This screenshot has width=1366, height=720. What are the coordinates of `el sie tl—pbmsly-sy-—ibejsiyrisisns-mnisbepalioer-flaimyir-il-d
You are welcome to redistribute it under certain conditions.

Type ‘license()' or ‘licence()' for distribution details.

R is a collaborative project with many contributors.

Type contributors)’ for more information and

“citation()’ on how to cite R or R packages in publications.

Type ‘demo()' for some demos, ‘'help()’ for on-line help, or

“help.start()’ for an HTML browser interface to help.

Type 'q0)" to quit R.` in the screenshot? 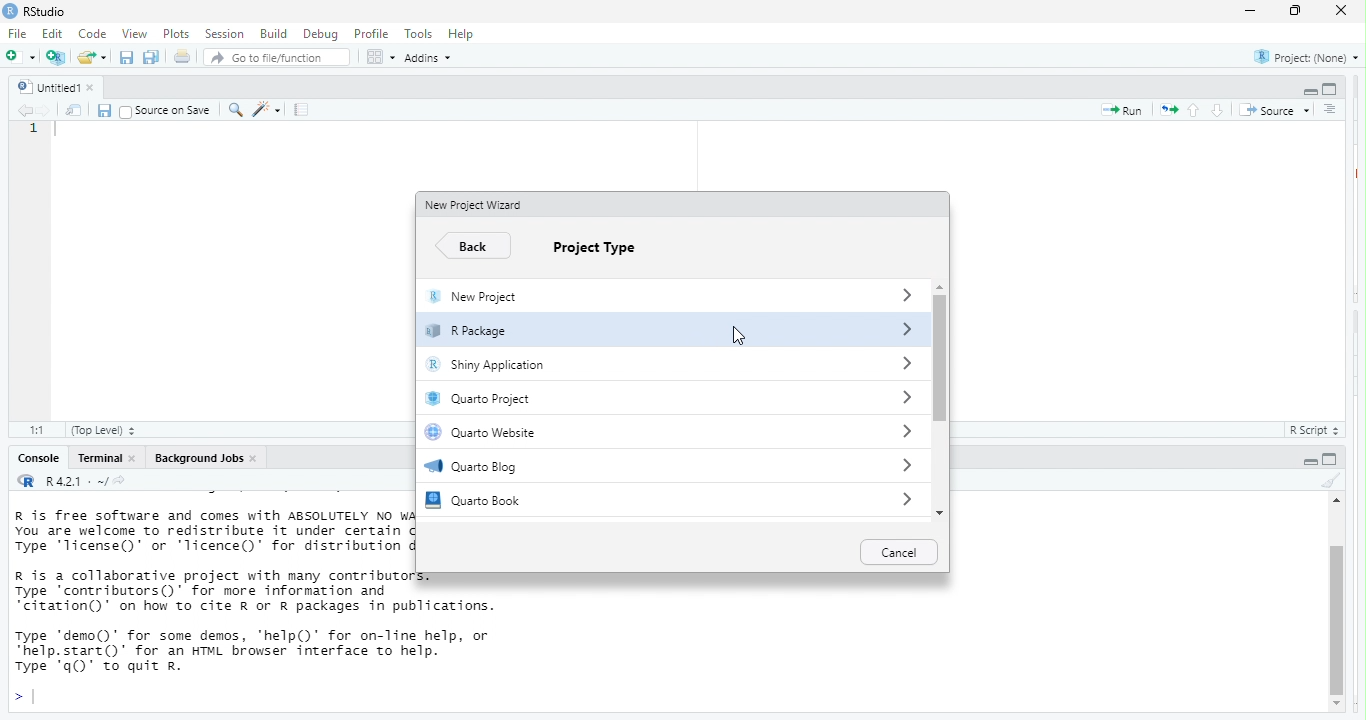 It's located at (210, 597).